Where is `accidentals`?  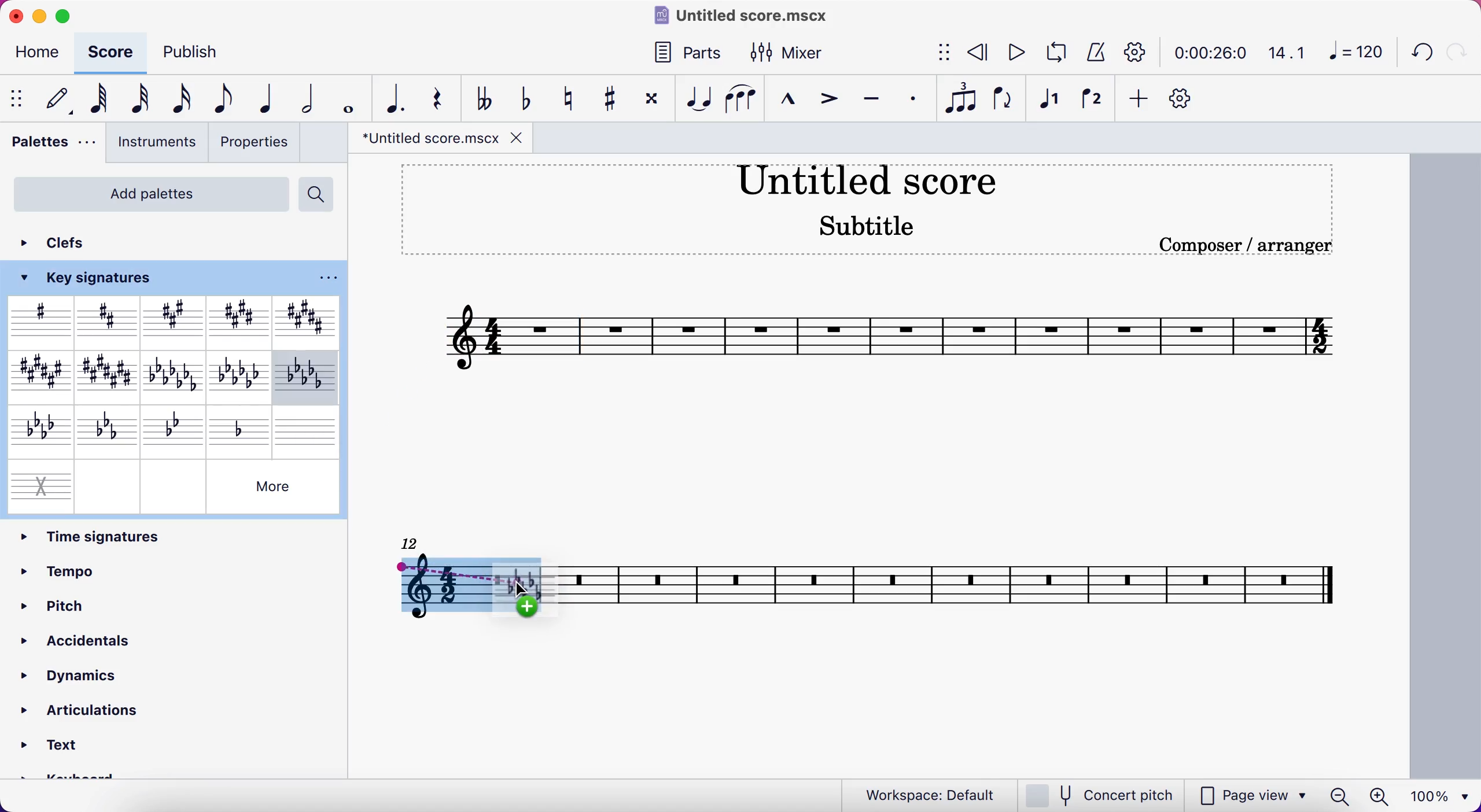 accidentals is located at coordinates (99, 640).